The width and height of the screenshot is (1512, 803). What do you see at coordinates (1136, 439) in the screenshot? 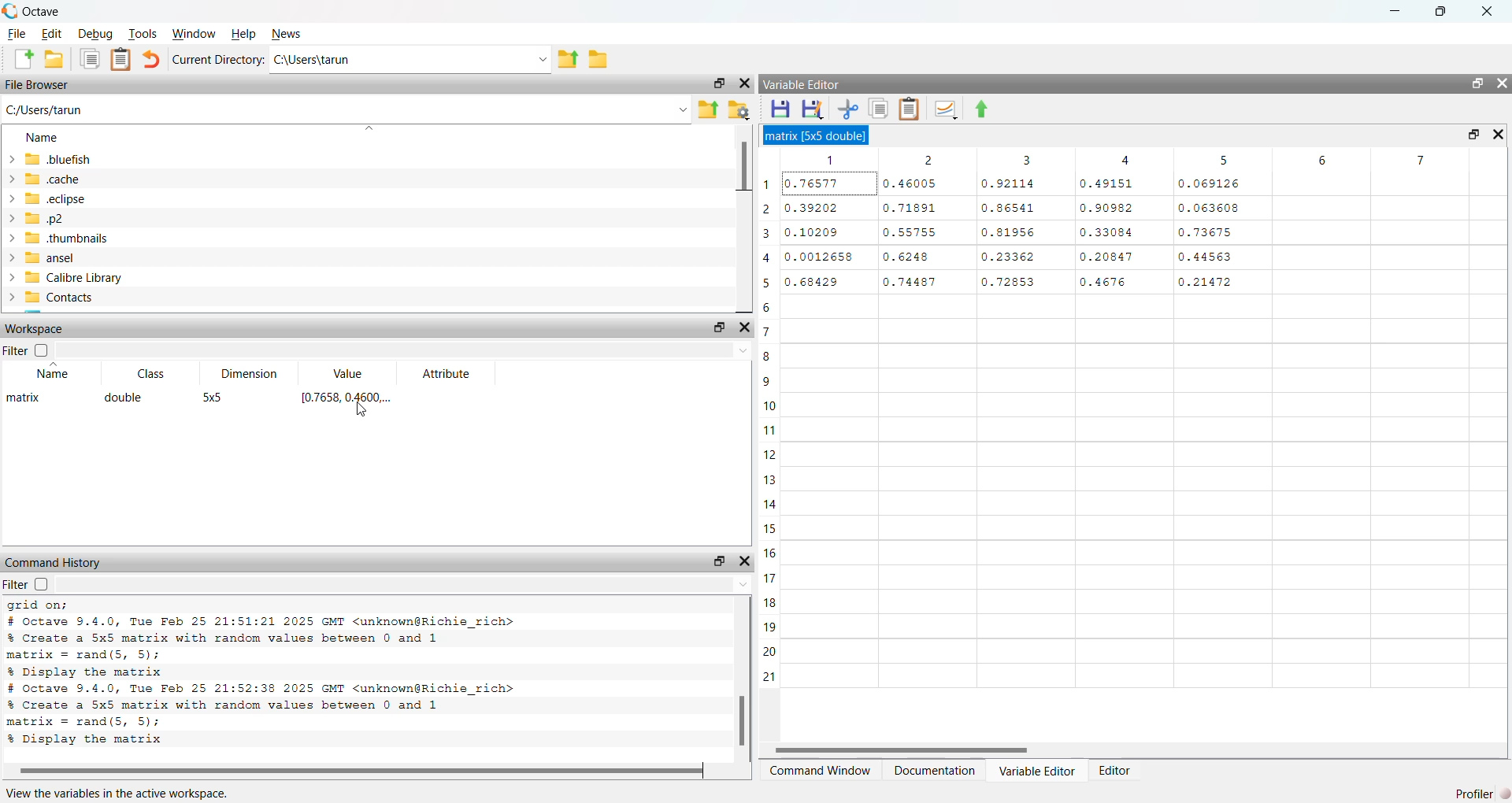
I see `1 2 3 4 5 6 7
1 {0.76577 0.46005 0.92114 0.49151 0.069126
2 0.39202 0.71891 0.86541 0.90982 0.063608
3 0.10209 0.55755 0.81956 0.33084 0.73675
4 0.0012658 0.6248 0.23362 0.20847 0.44563
5 0.68429 0.74487 0.72853 0.4676 0.21472
6
7
8
9
10` at bounding box center [1136, 439].